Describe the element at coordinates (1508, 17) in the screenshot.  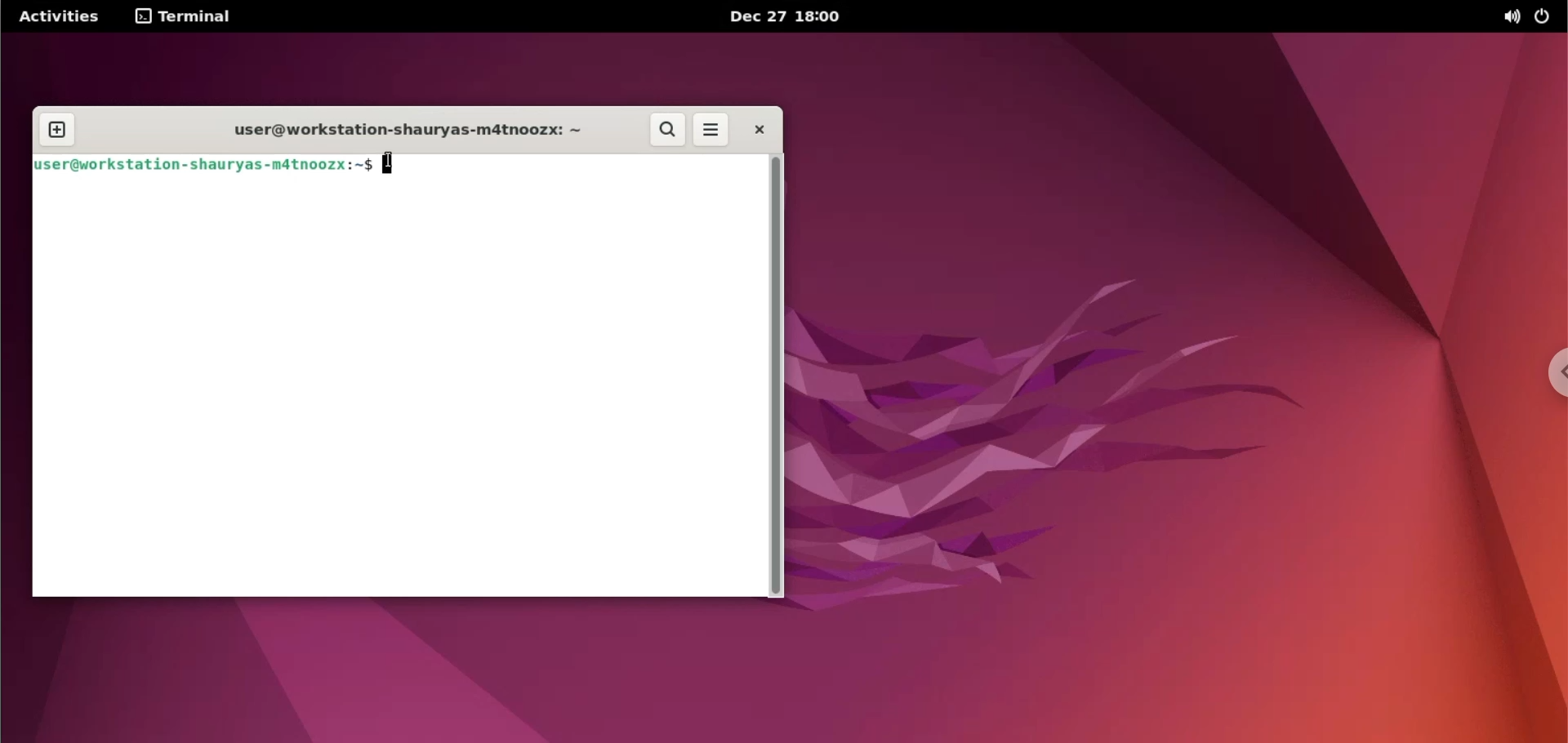
I see `sound options` at that location.